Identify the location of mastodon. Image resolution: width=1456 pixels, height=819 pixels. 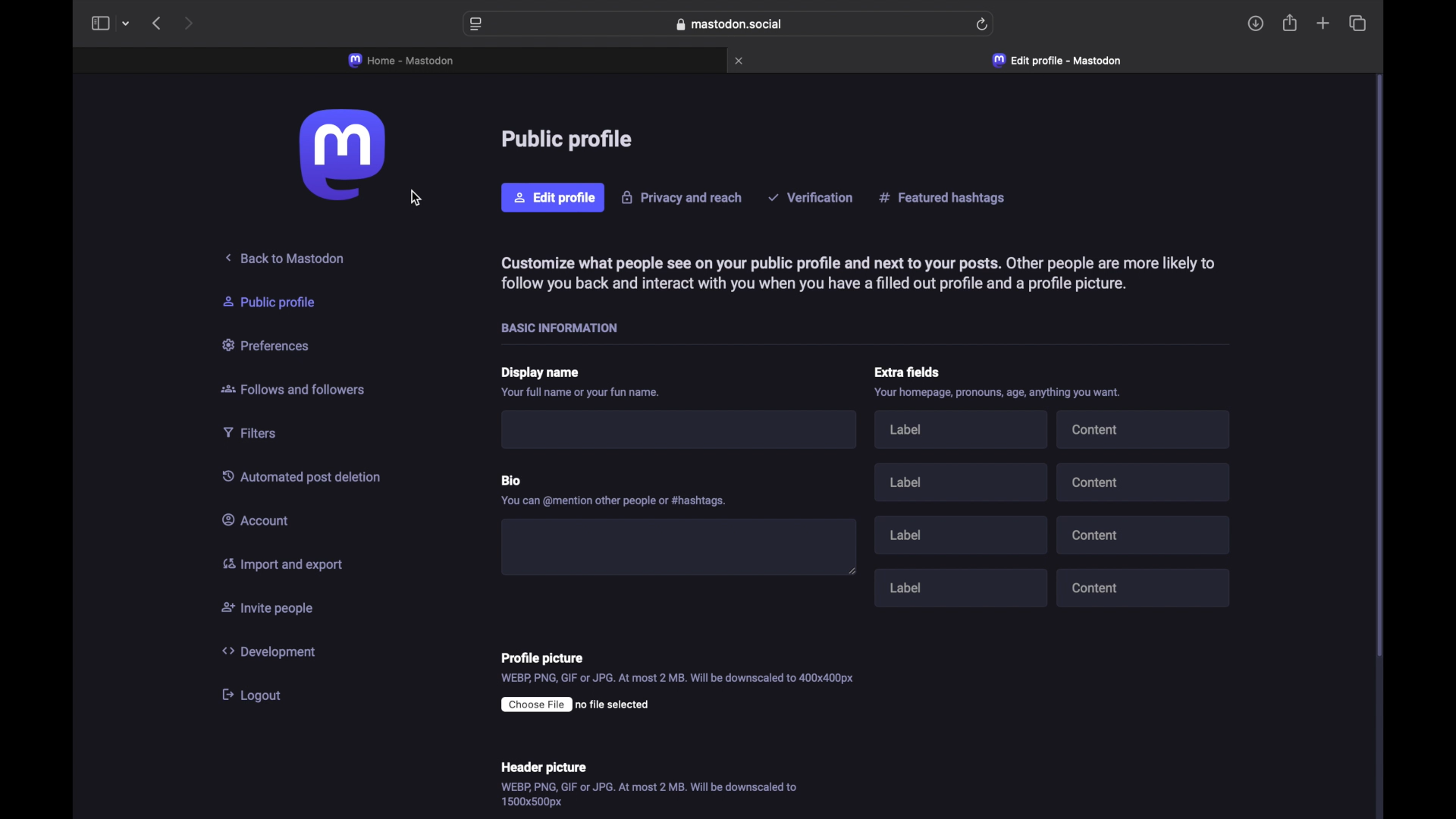
(343, 155).